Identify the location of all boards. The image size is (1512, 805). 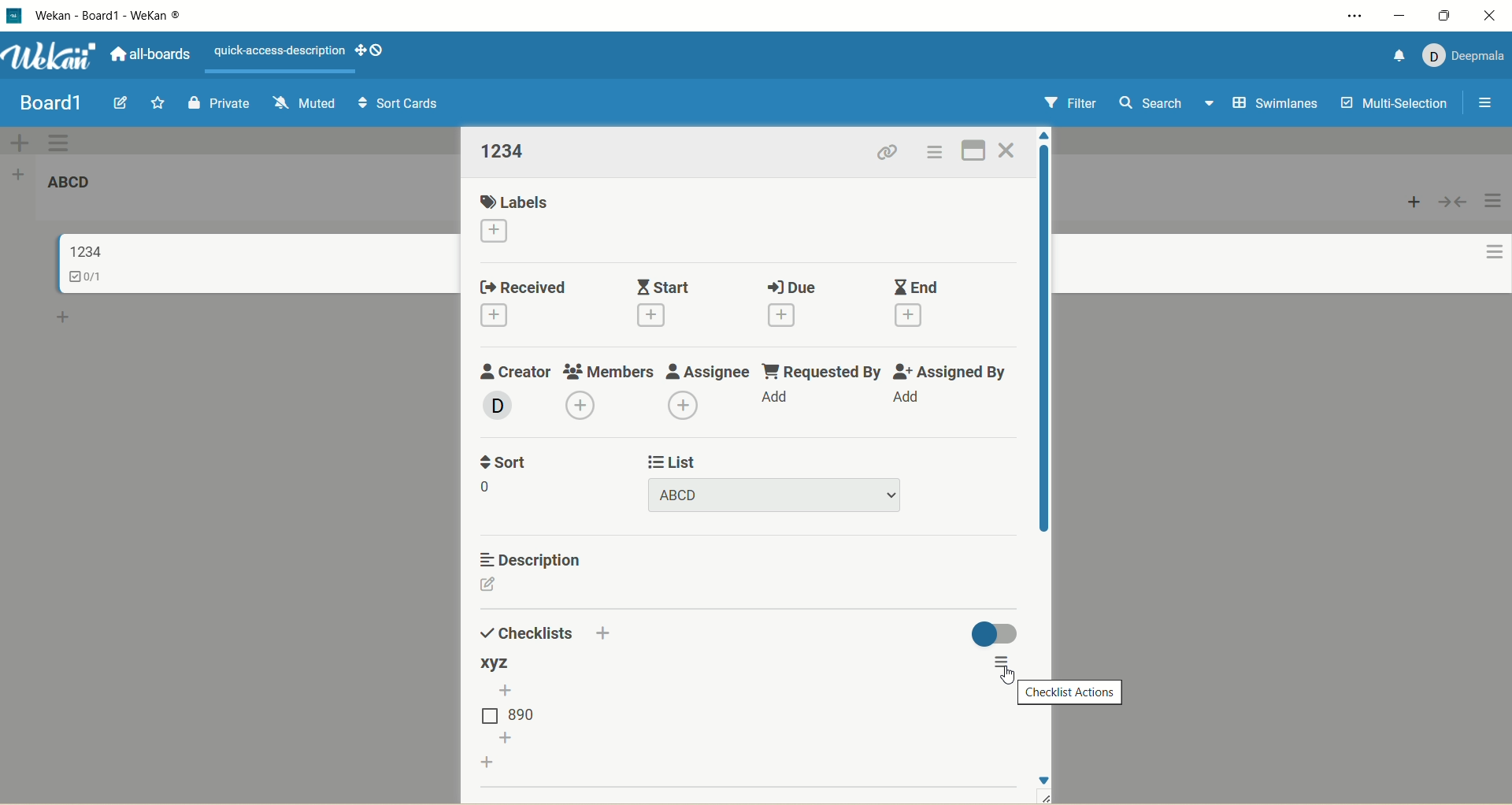
(147, 54).